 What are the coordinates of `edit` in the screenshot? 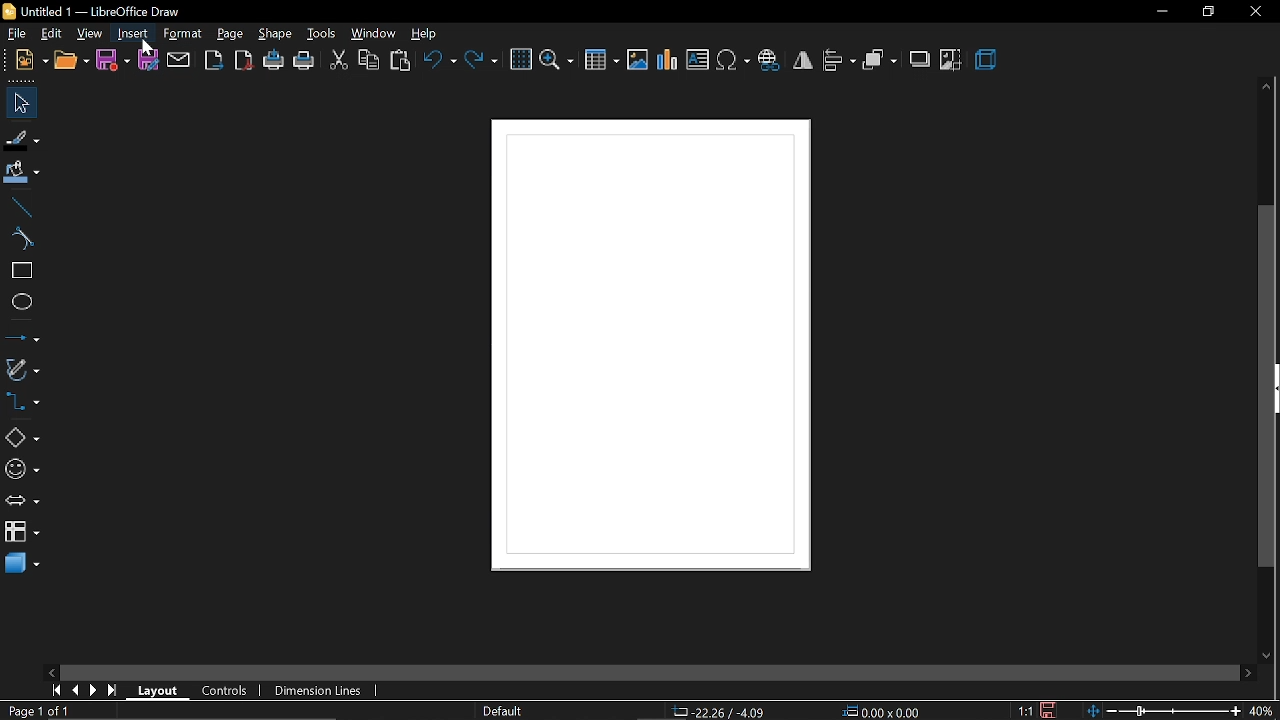 It's located at (54, 32).